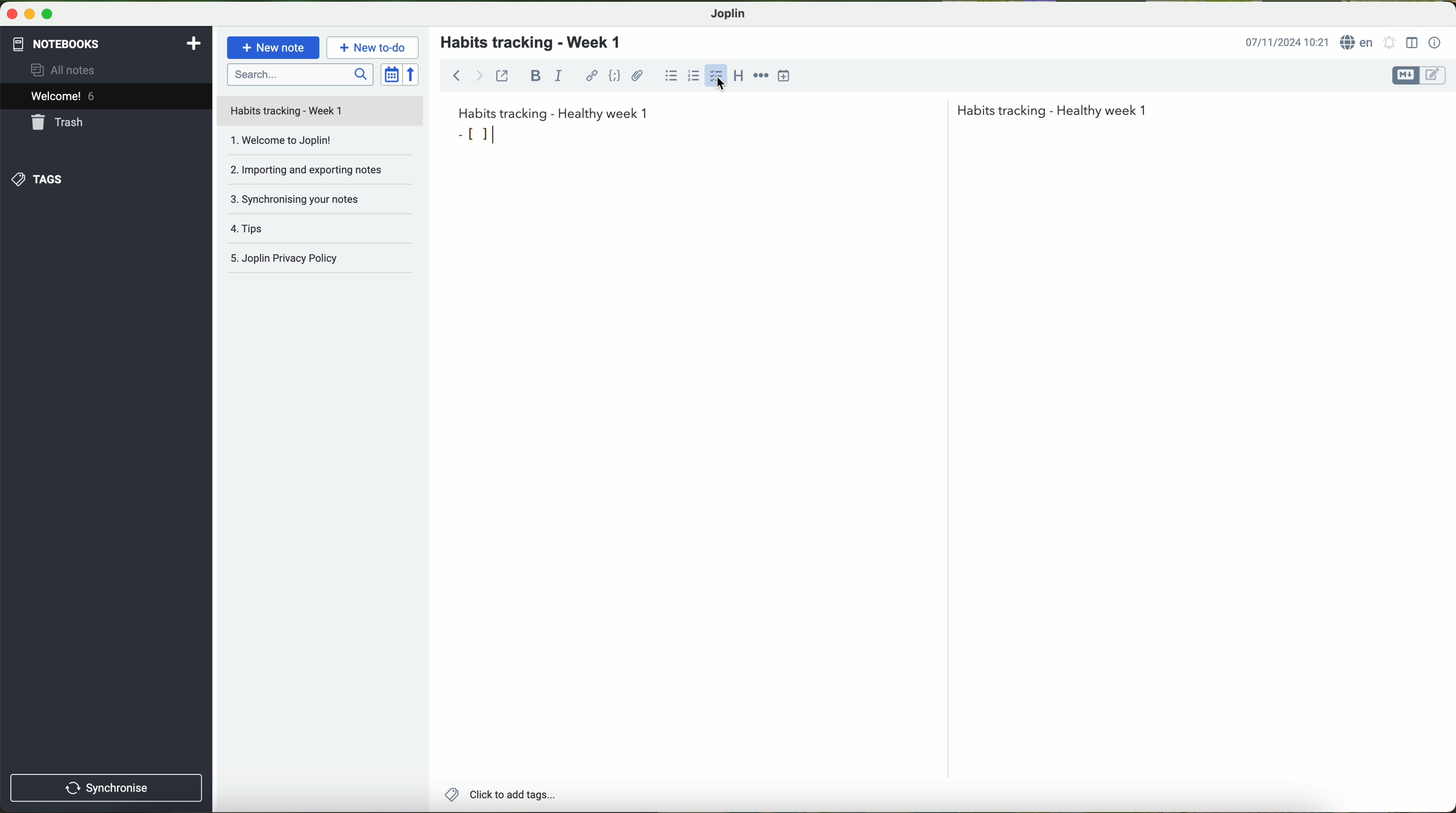  Describe the element at coordinates (274, 47) in the screenshot. I see `new note button` at that location.